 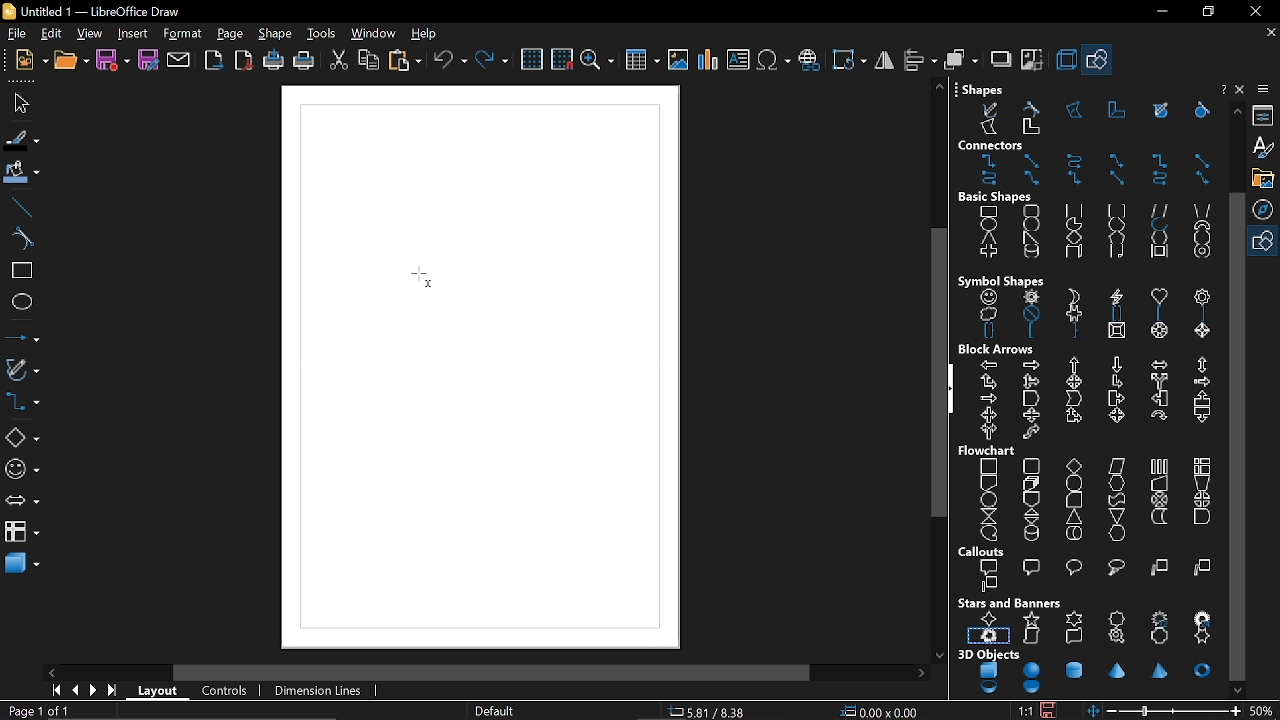 I want to click on page, so click(x=230, y=34).